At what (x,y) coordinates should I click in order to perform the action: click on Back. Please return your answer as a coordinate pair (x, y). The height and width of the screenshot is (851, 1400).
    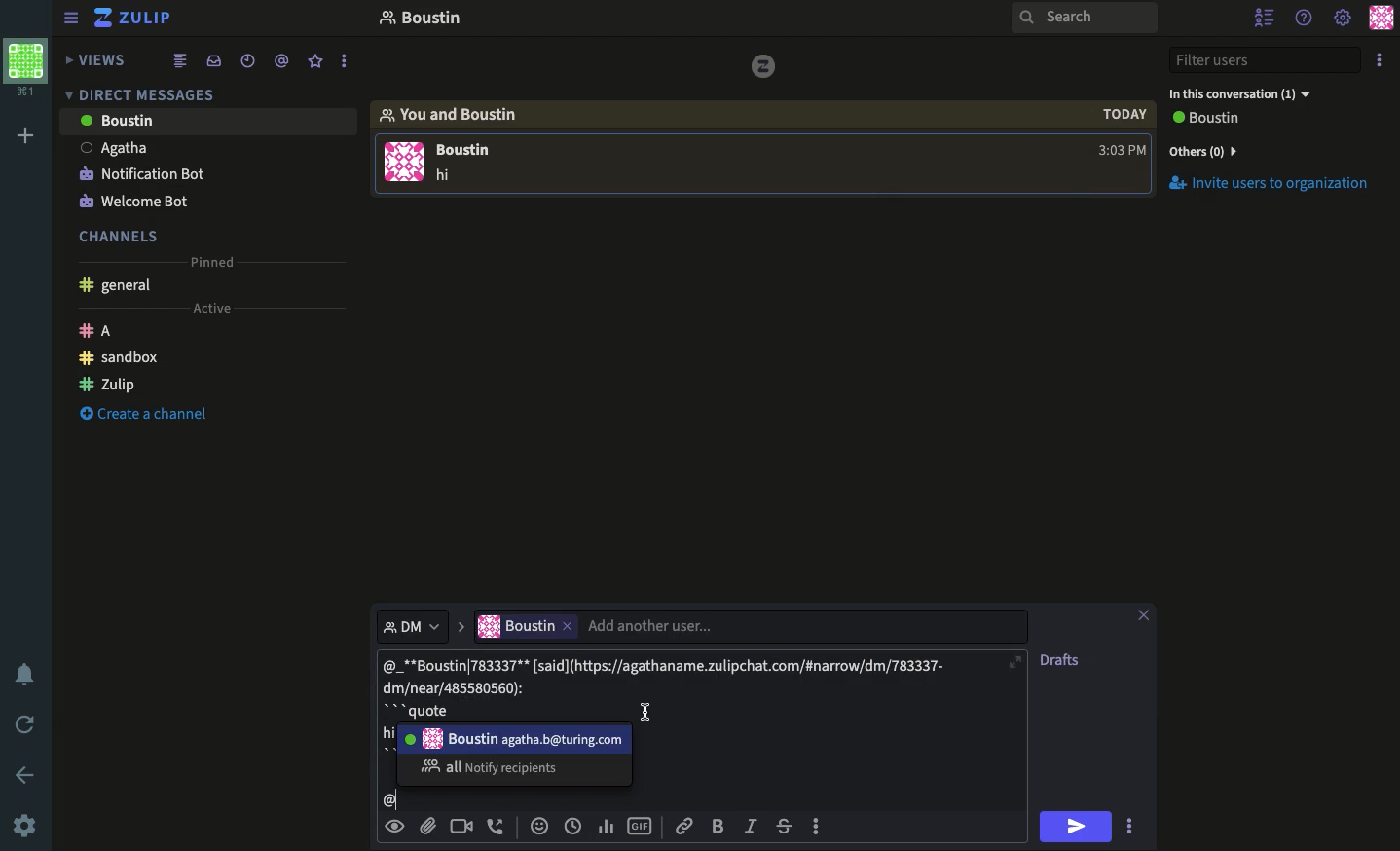
    Looking at the image, I should click on (26, 773).